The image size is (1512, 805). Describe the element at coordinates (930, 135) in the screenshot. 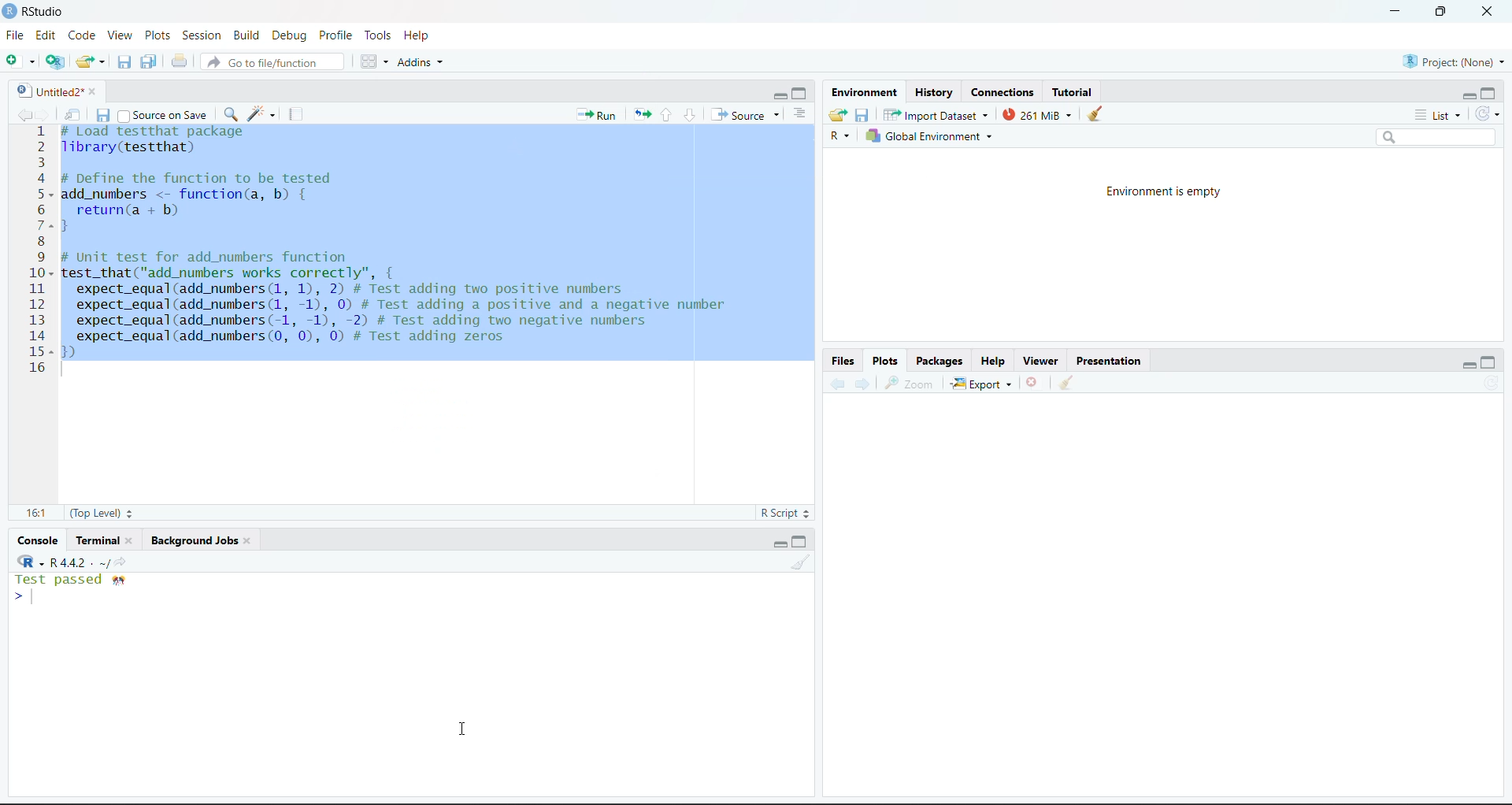

I see `Global Environment` at that location.